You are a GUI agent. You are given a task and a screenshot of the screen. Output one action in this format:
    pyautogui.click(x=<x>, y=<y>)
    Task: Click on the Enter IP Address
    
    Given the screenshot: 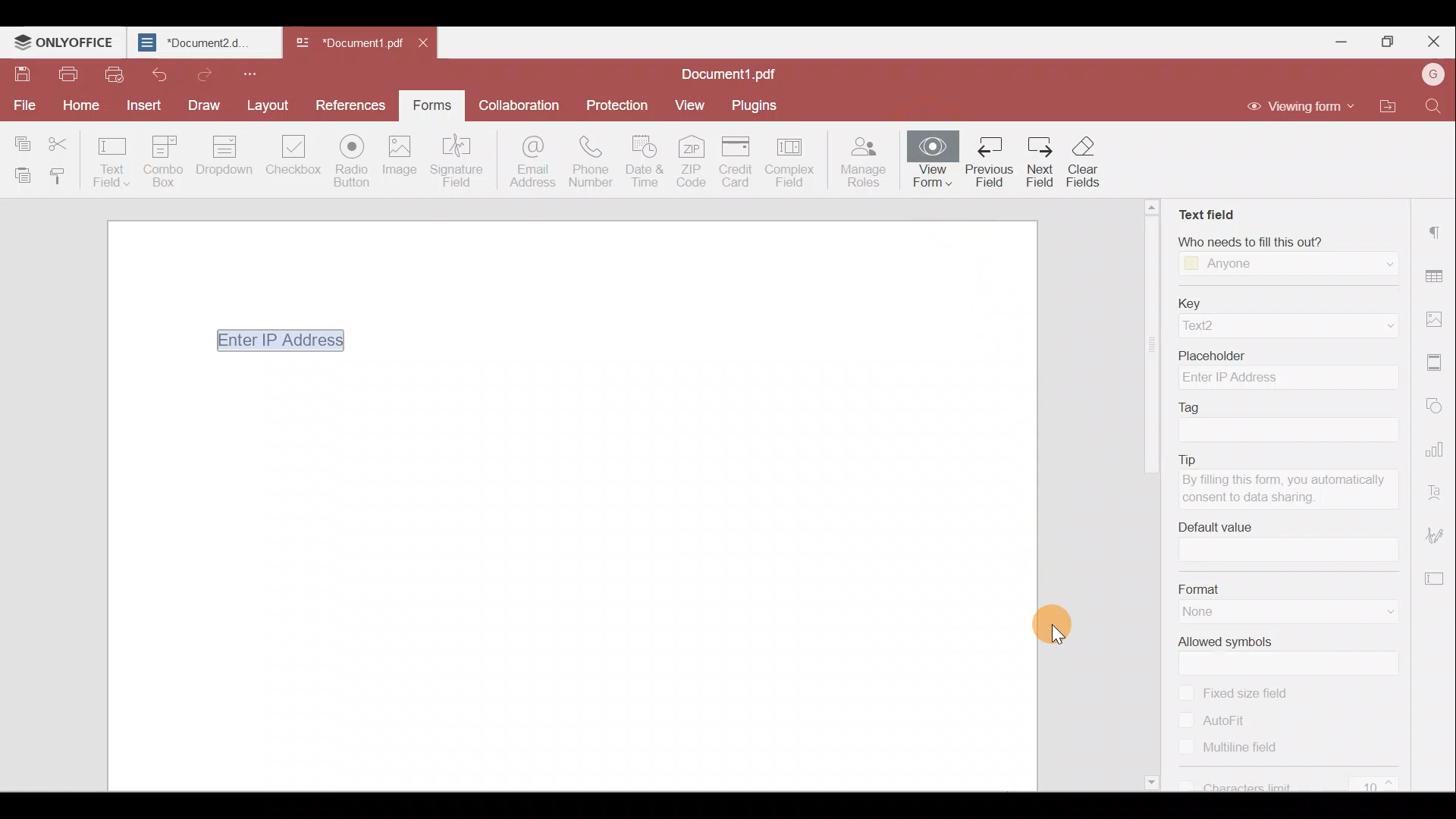 What is the action you would take?
    pyautogui.click(x=1288, y=378)
    